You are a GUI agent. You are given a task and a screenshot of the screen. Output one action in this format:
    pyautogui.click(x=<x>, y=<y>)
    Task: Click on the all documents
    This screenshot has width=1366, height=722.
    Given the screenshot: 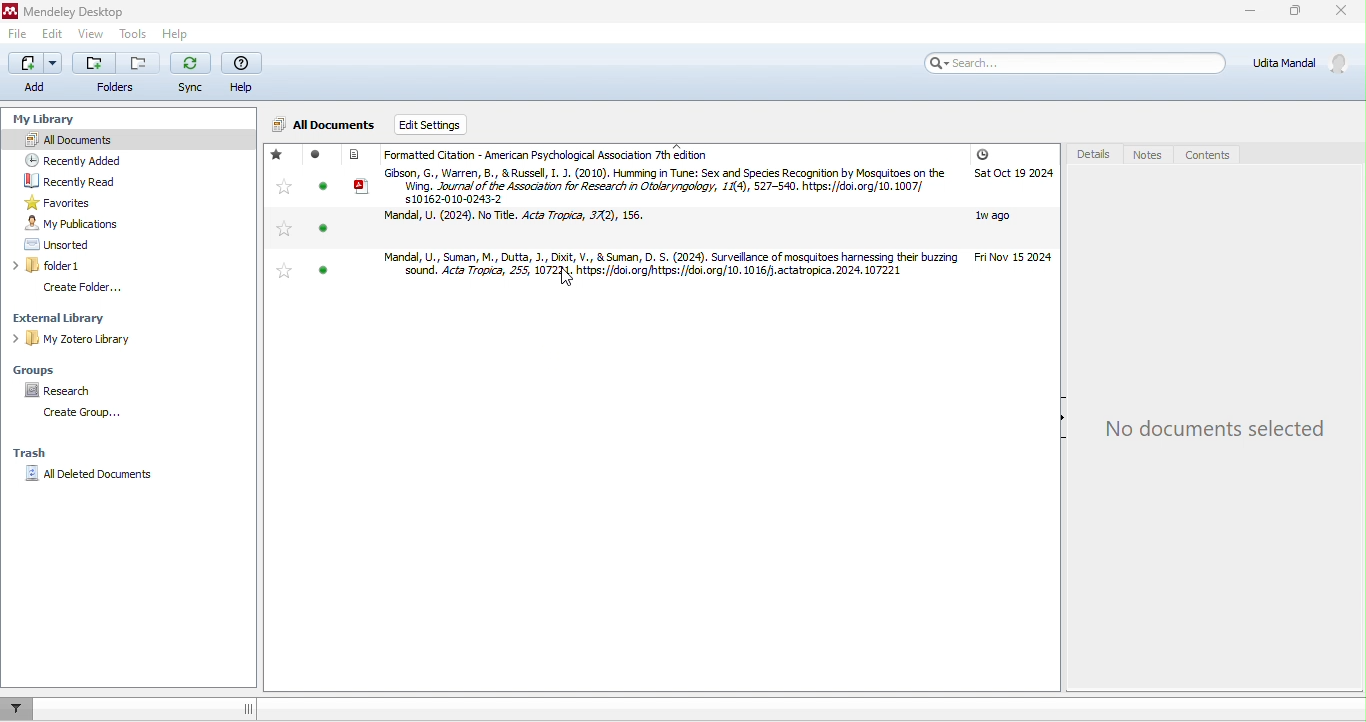 What is the action you would take?
    pyautogui.click(x=82, y=138)
    